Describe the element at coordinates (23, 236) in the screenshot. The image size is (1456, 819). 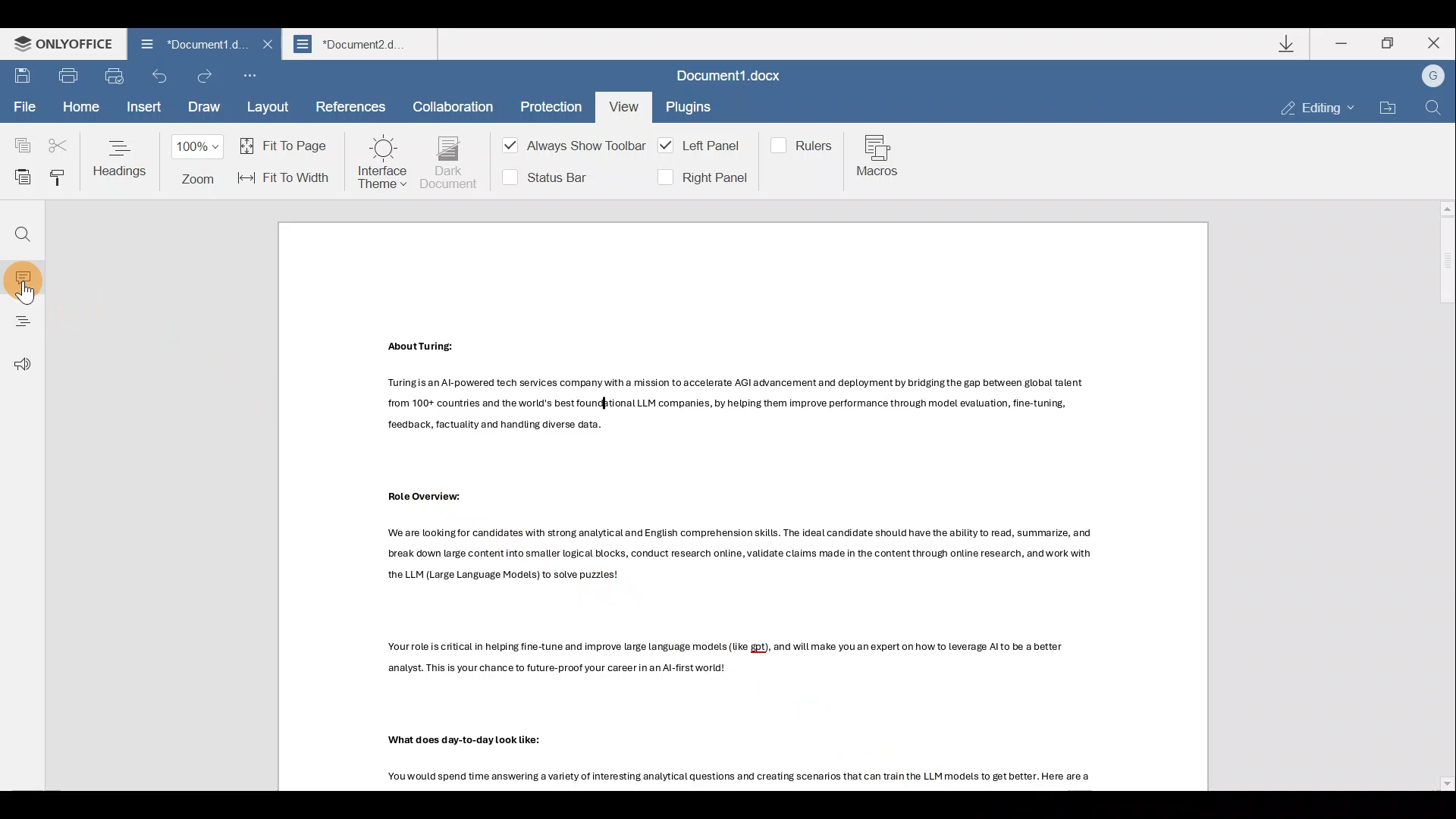
I see `Find` at that location.